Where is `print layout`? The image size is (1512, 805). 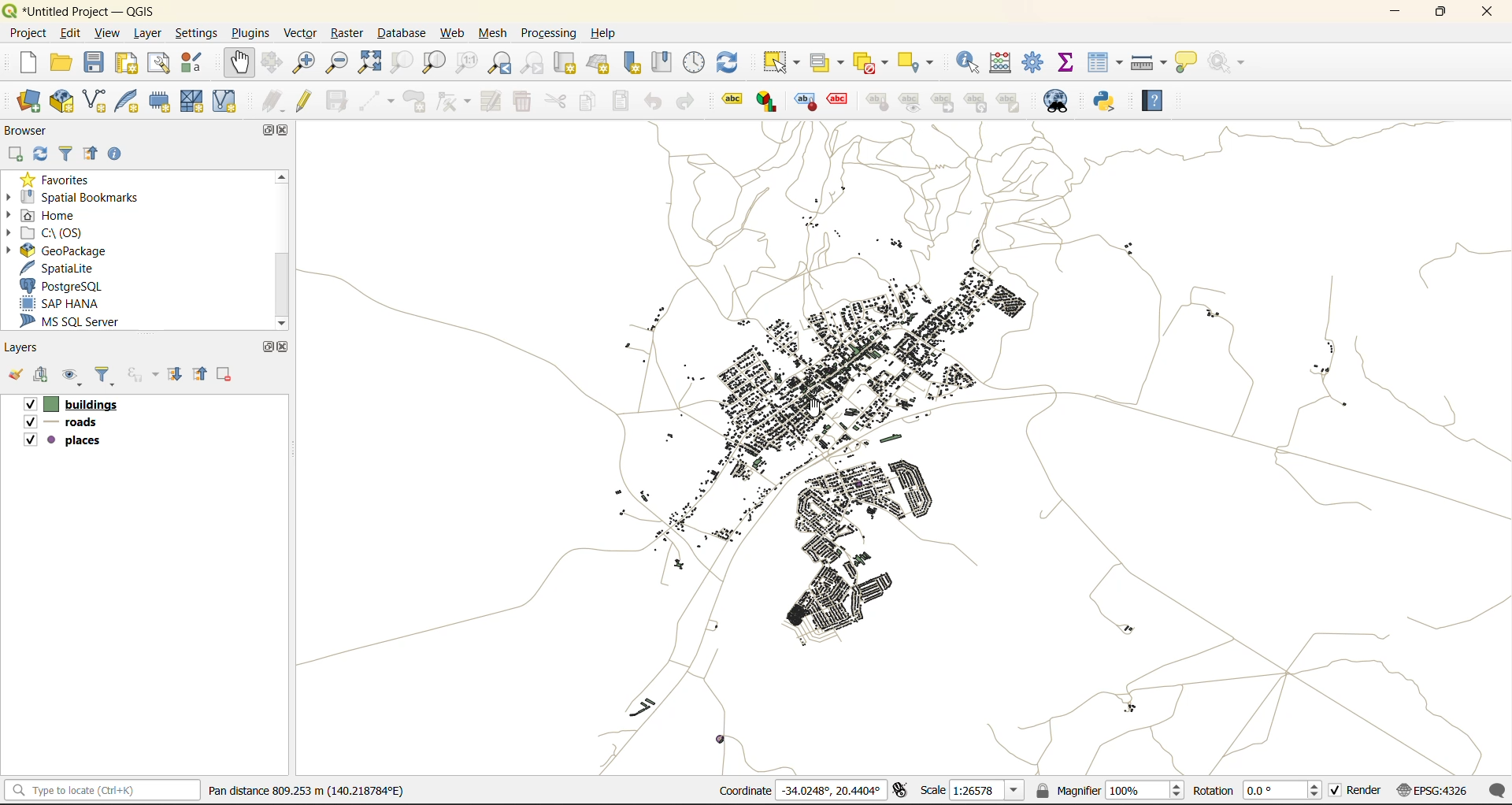
print layout is located at coordinates (124, 63).